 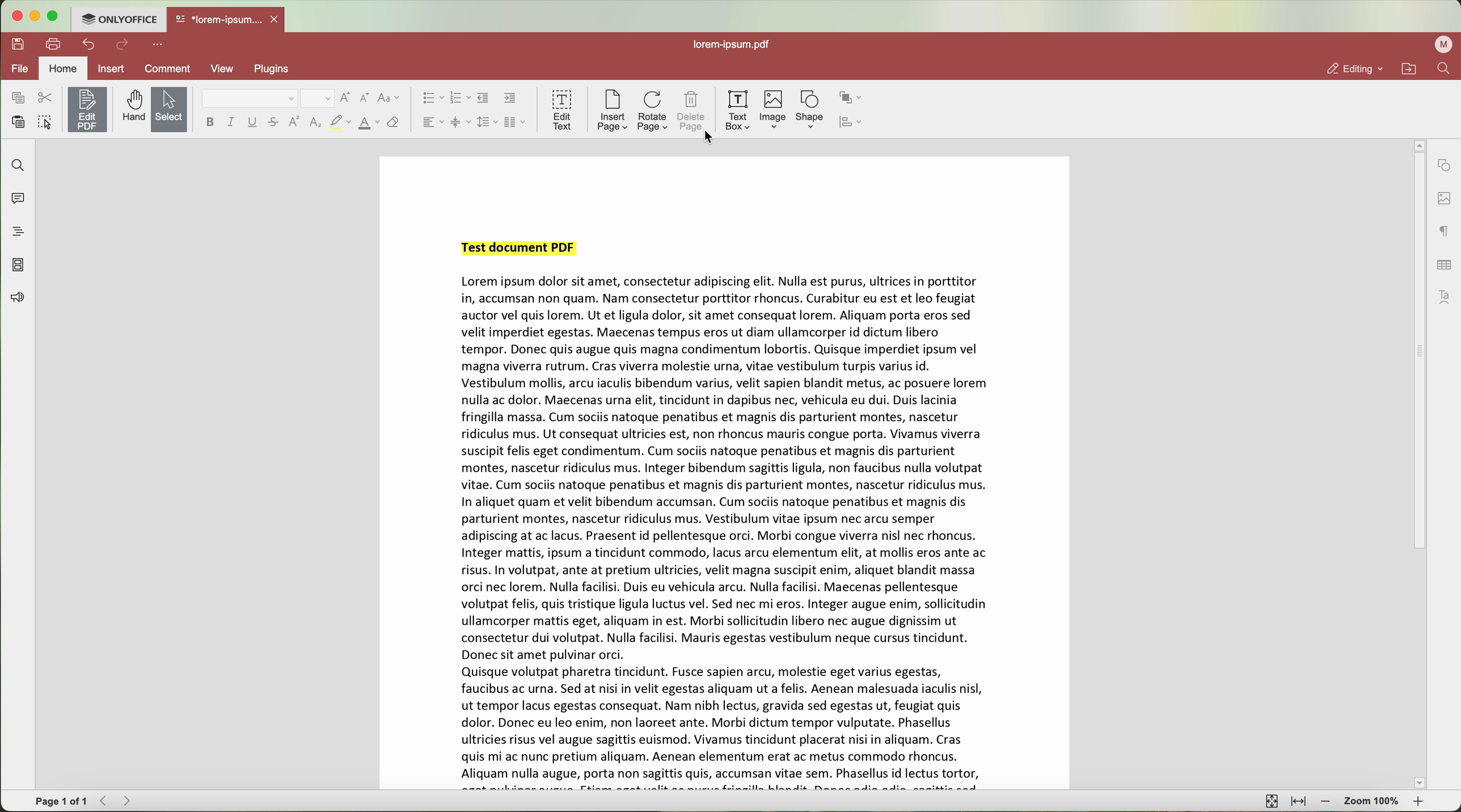 I want to click on paste, so click(x=19, y=124).